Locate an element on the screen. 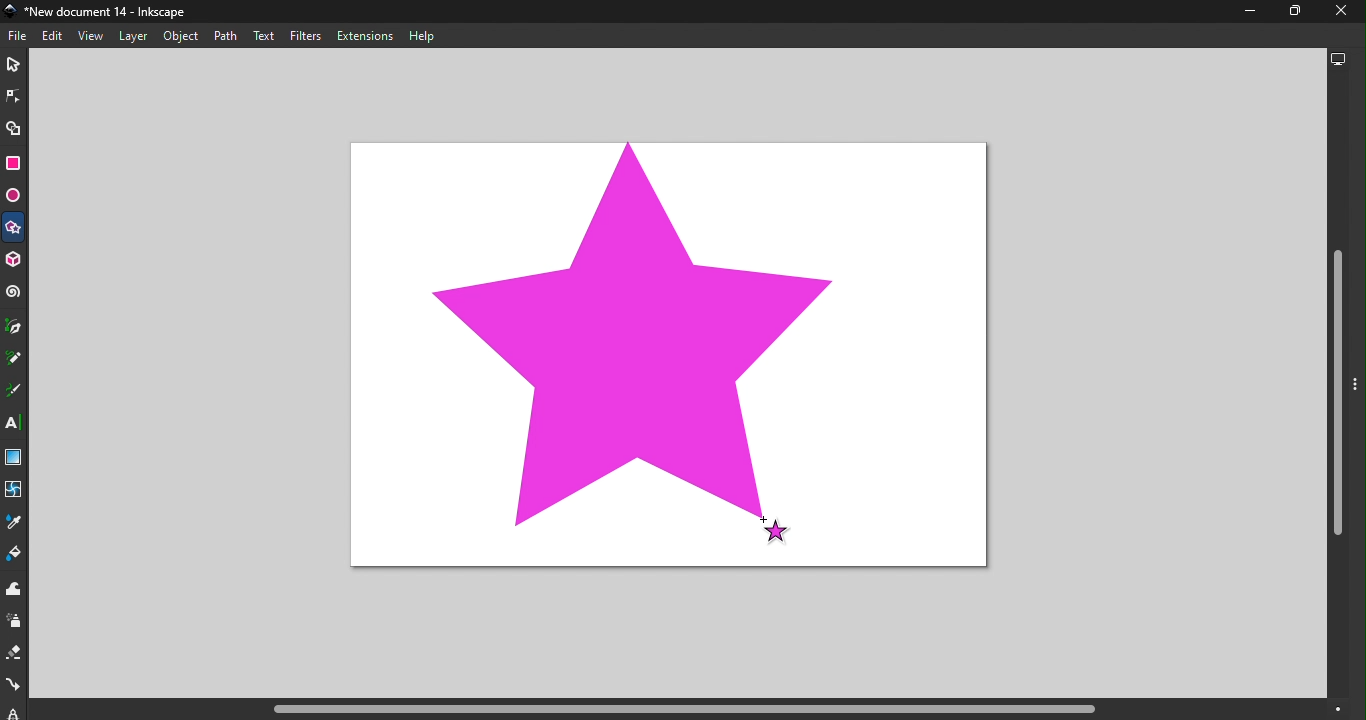  Text is located at coordinates (263, 35).